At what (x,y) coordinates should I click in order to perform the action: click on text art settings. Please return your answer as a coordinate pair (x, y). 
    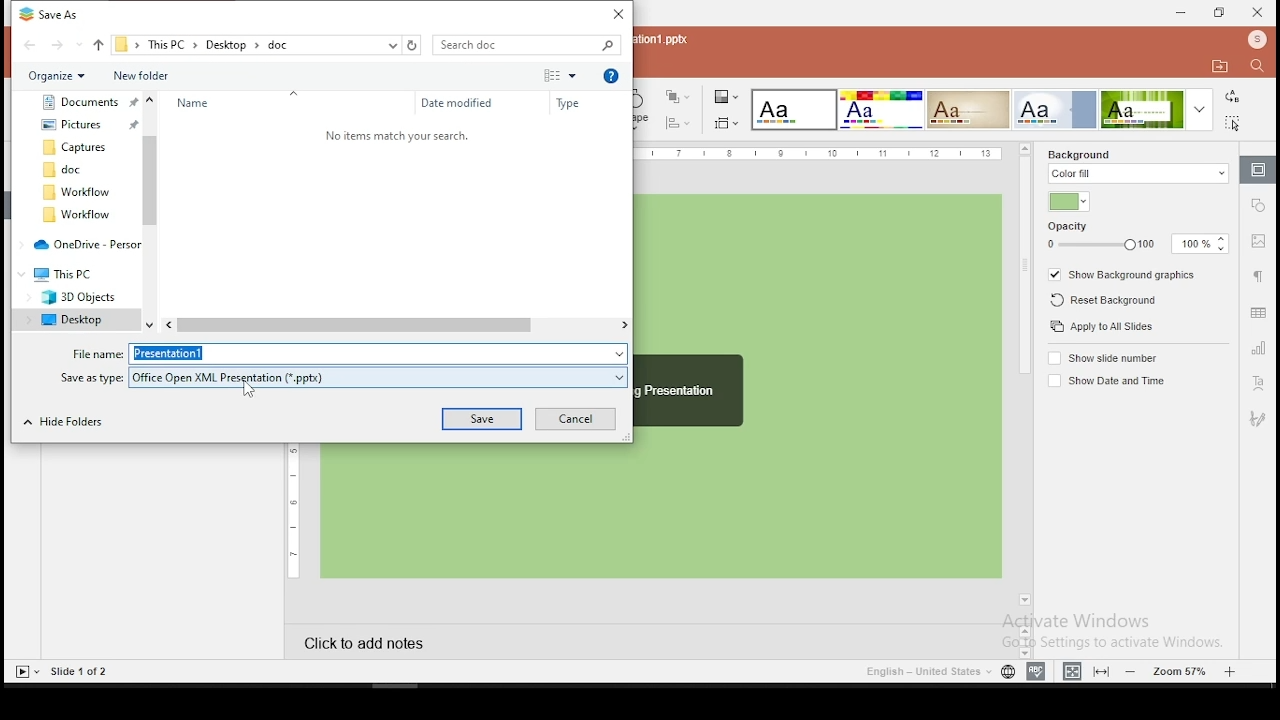
    Looking at the image, I should click on (1257, 385).